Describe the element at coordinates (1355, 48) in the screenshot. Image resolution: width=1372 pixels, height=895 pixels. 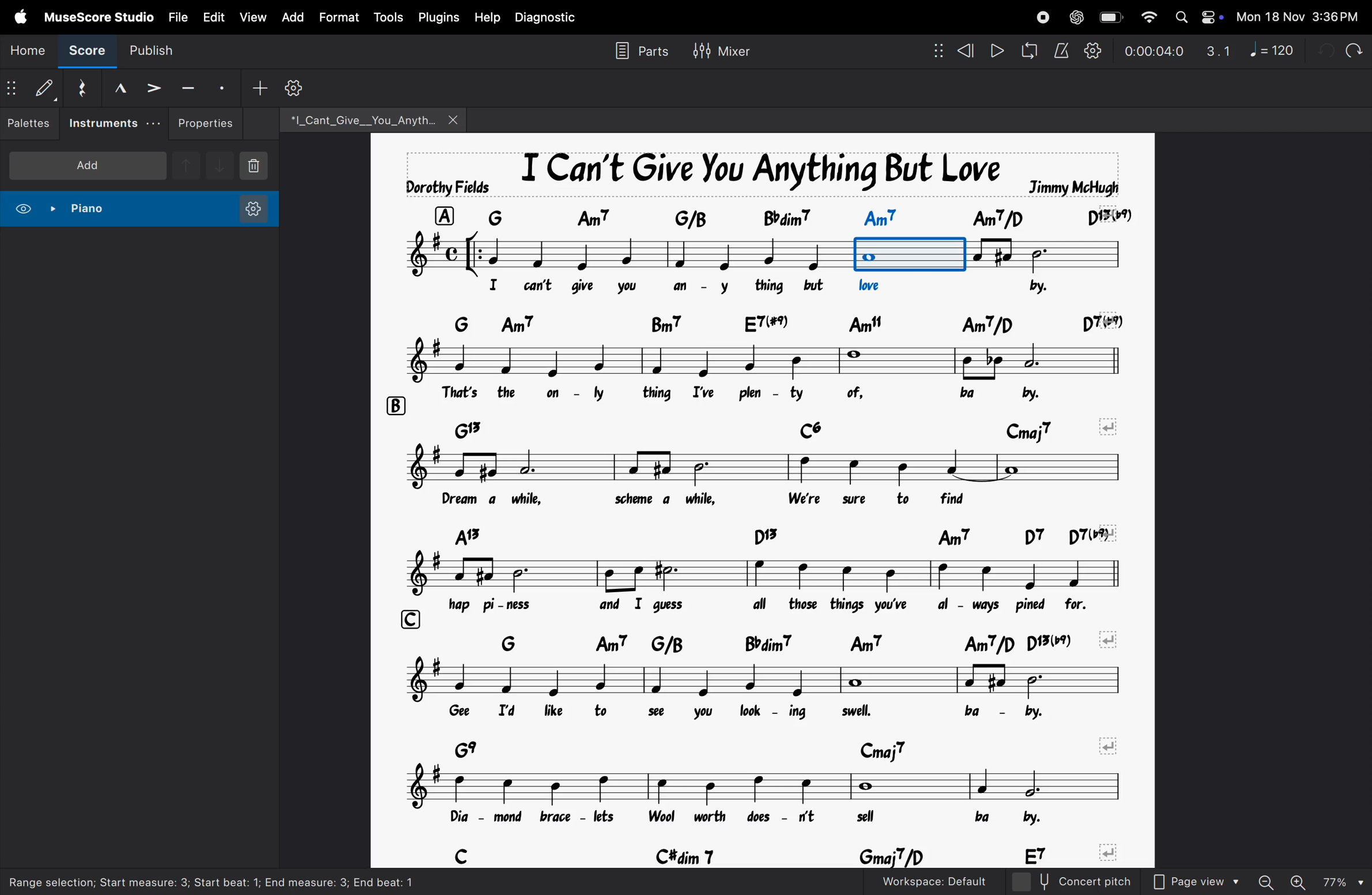
I see `redo` at that location.